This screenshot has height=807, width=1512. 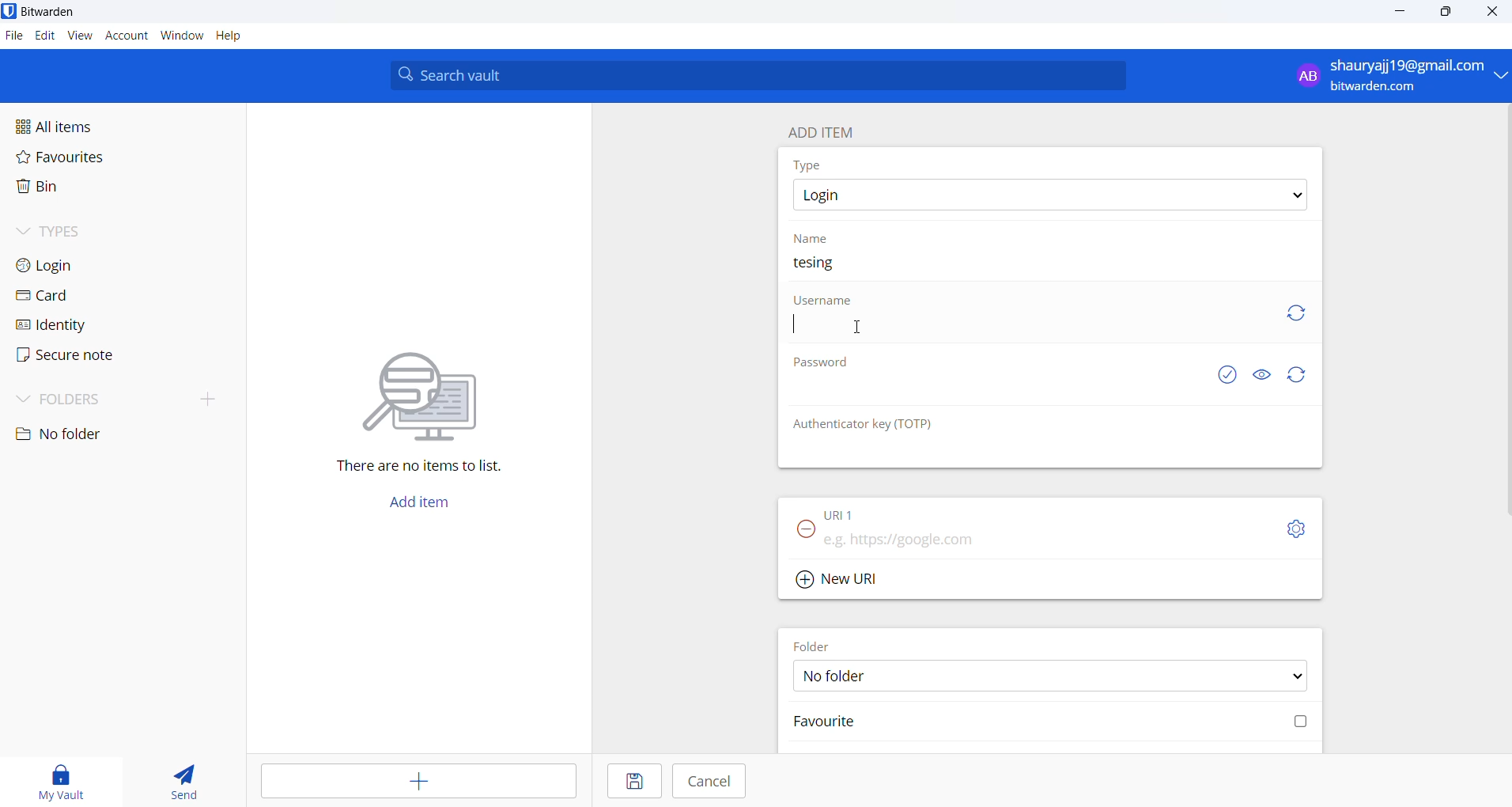 What do you see at coordinates (1030, 332) in the screenshot?
I see `username input box` at bounding box center [1030, 332].